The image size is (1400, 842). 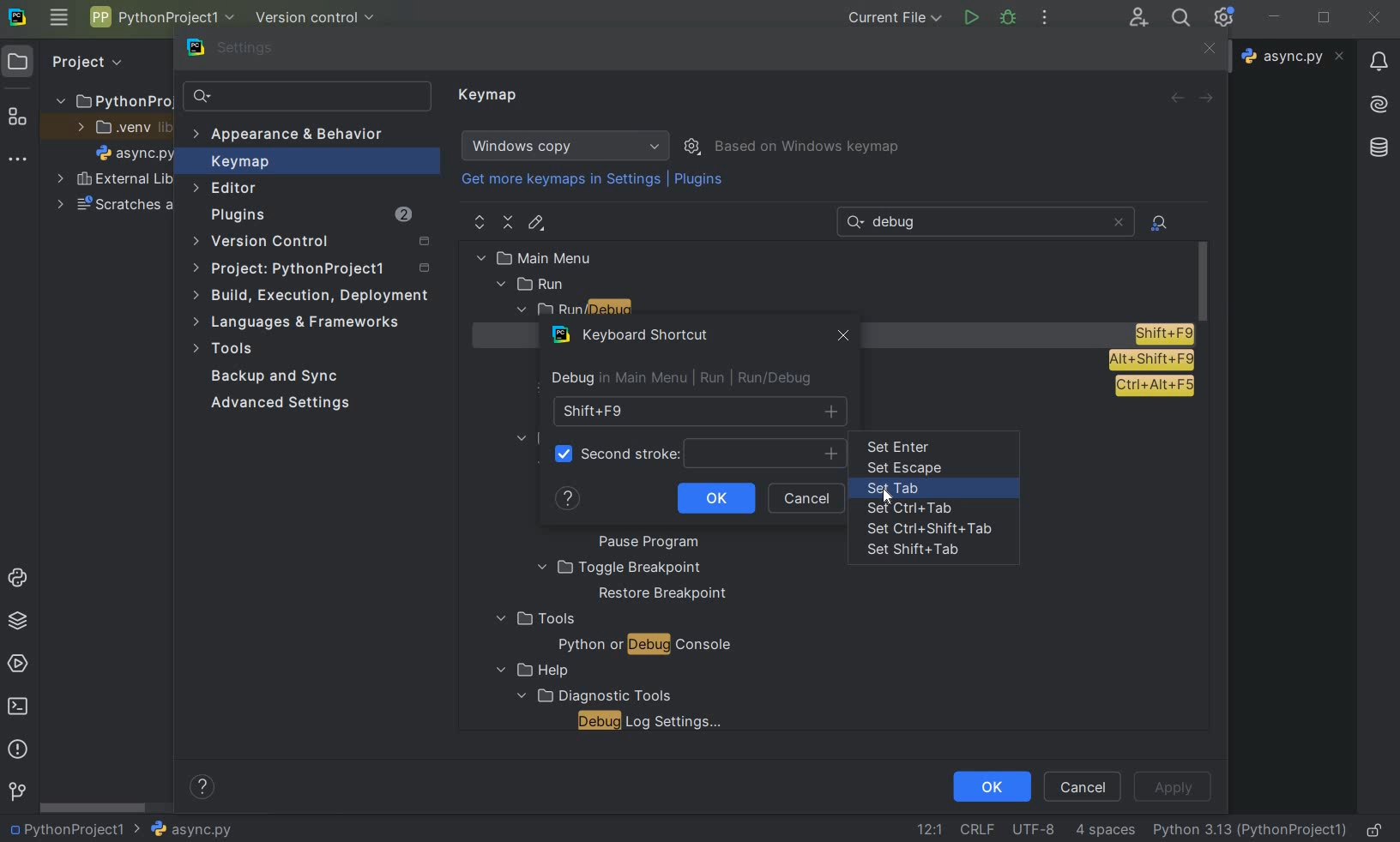 What do you see at coordinates (664, 594) in the screenshot?
I see `restore breakpoint` at bounding box center [664, 594].